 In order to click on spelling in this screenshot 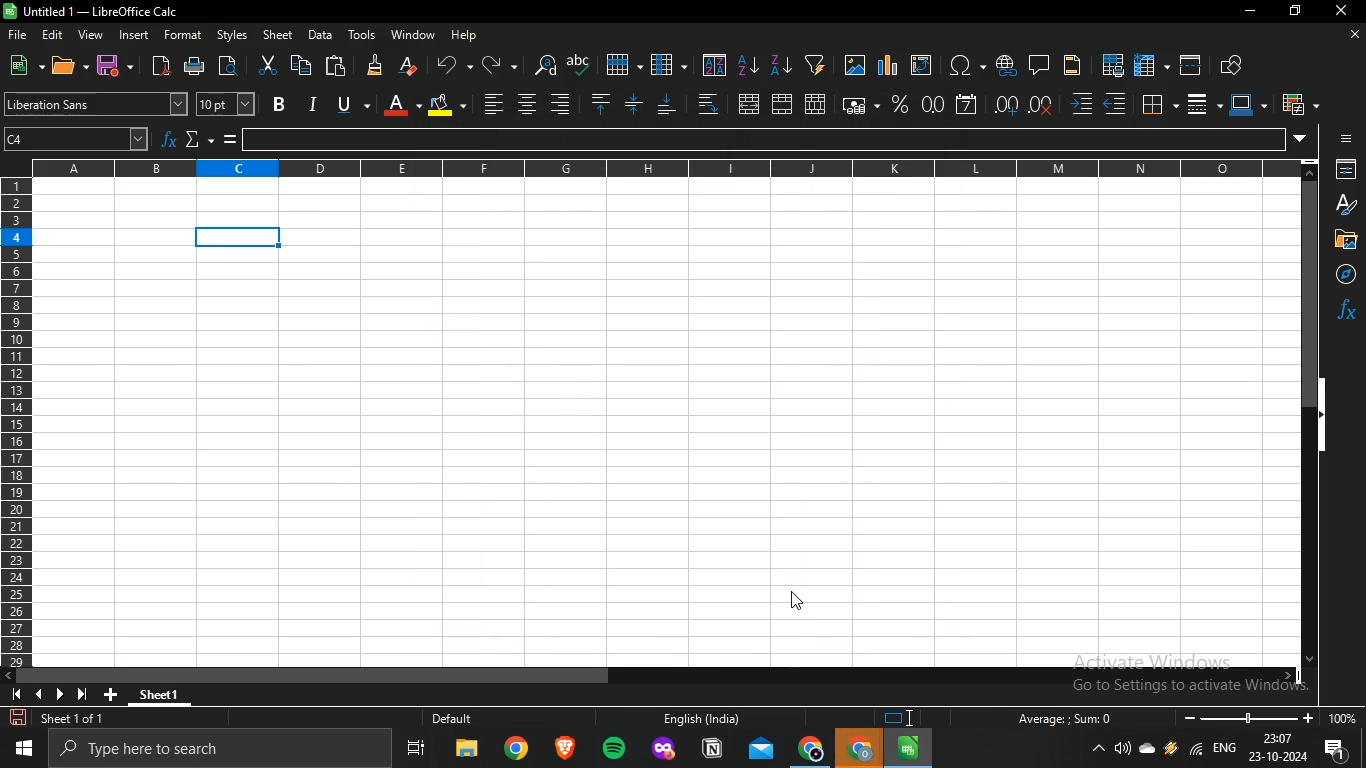, I will do `click(579, 64)`.